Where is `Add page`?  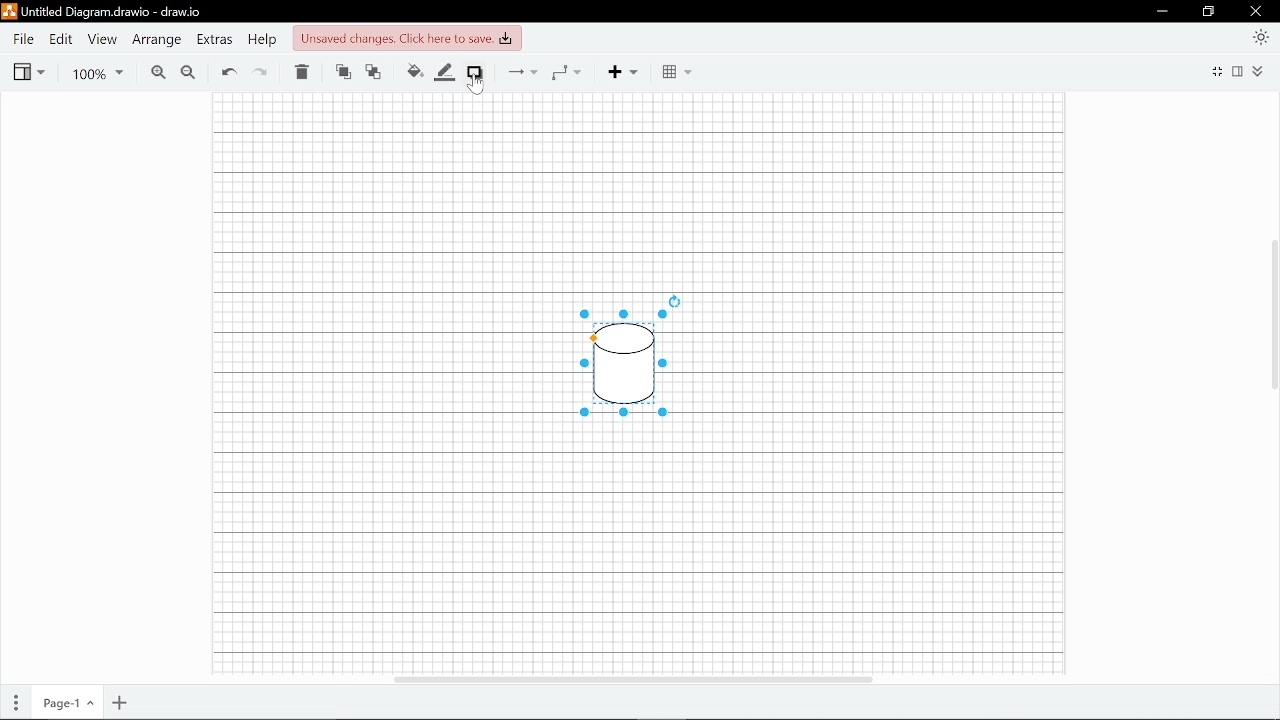
Add page is located at coordinates (119, 701).